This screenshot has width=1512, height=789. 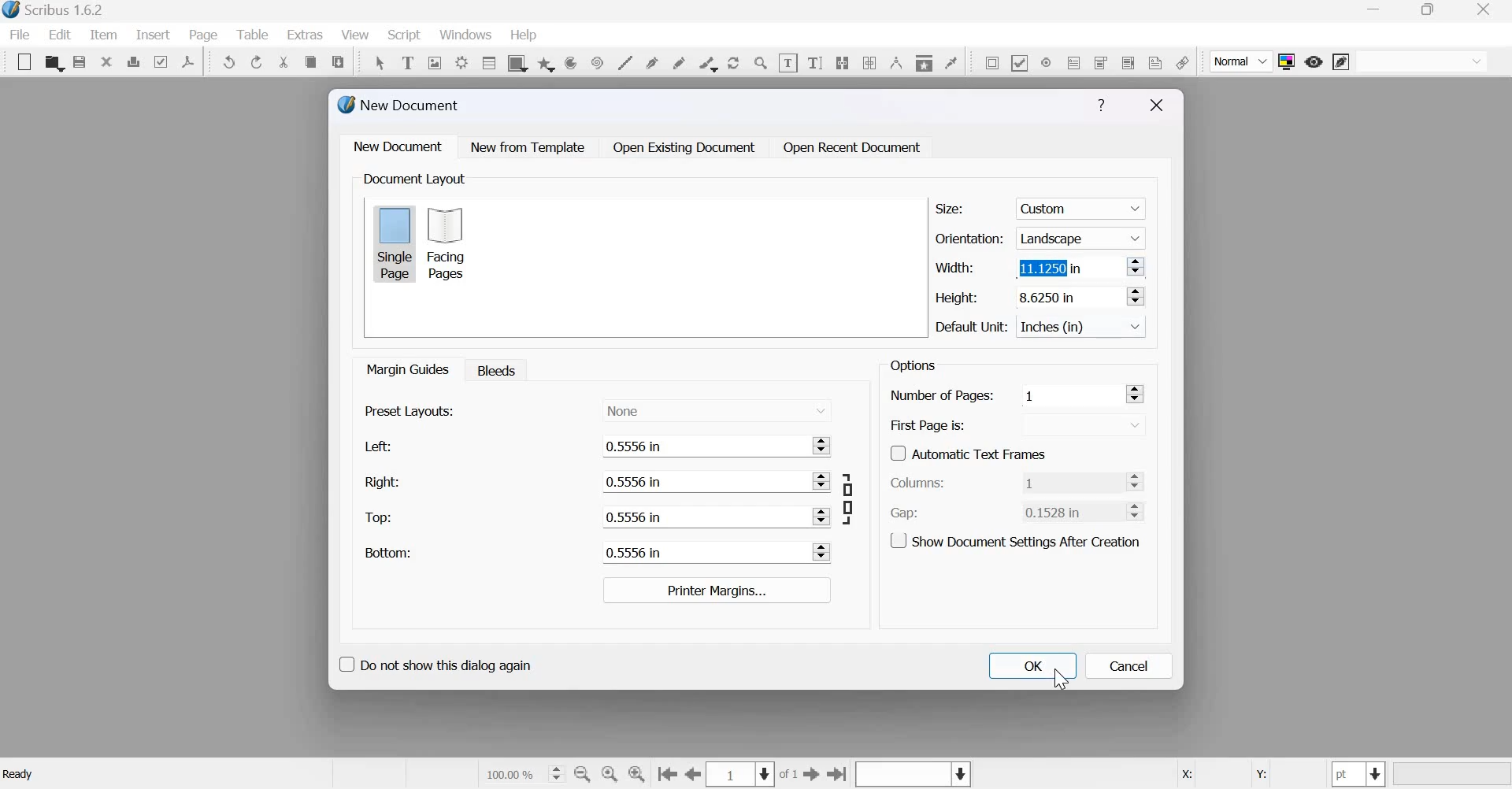 What do you see at coordinates (1155, 62) in the screenshot?
I see `Text Annotation` at bounding box center [1155, 62].